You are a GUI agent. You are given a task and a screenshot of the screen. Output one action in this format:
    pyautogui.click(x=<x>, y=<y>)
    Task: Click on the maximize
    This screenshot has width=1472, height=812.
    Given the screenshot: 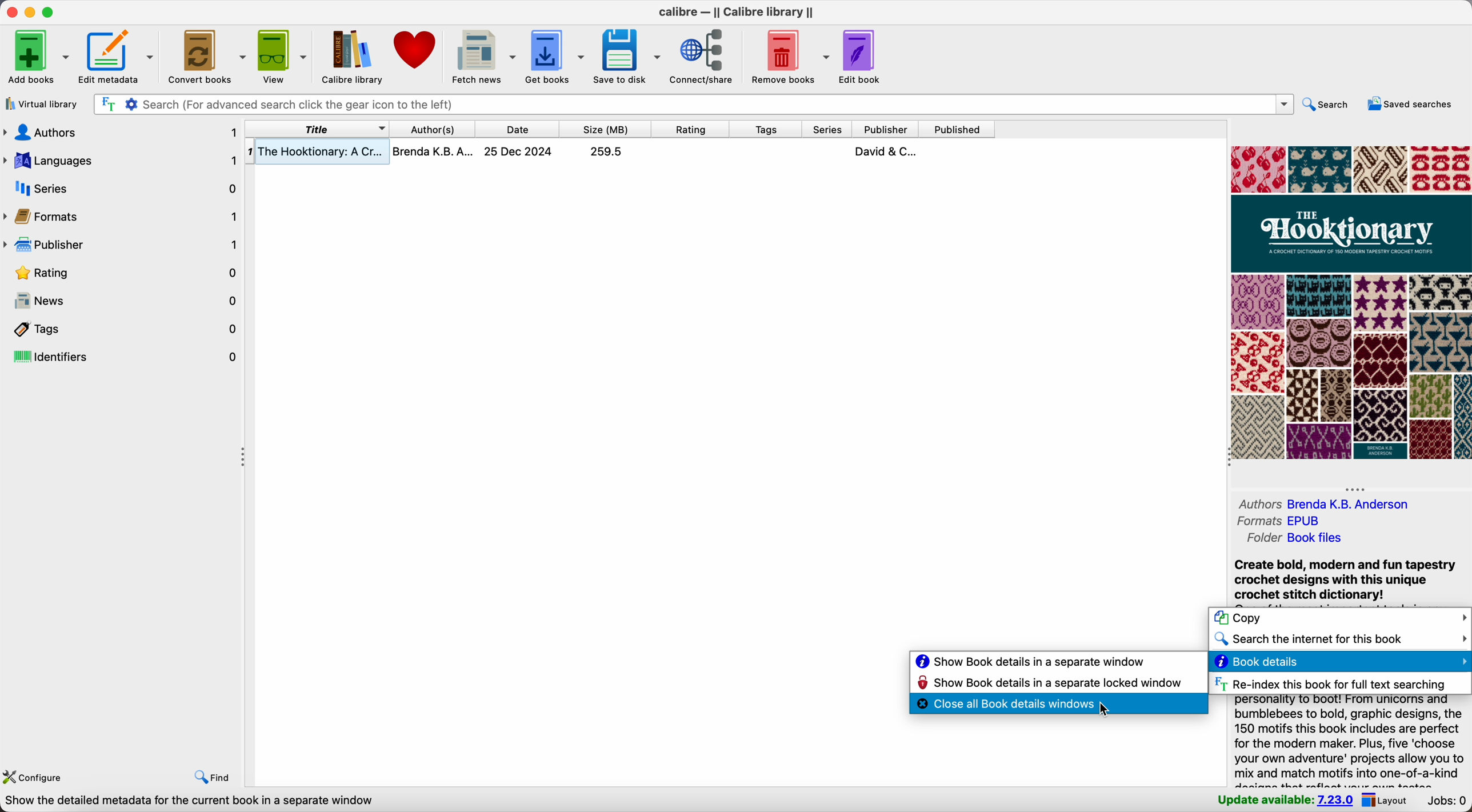 What is the action you would take?
    pyautogui.click(x=49, y=12)
    